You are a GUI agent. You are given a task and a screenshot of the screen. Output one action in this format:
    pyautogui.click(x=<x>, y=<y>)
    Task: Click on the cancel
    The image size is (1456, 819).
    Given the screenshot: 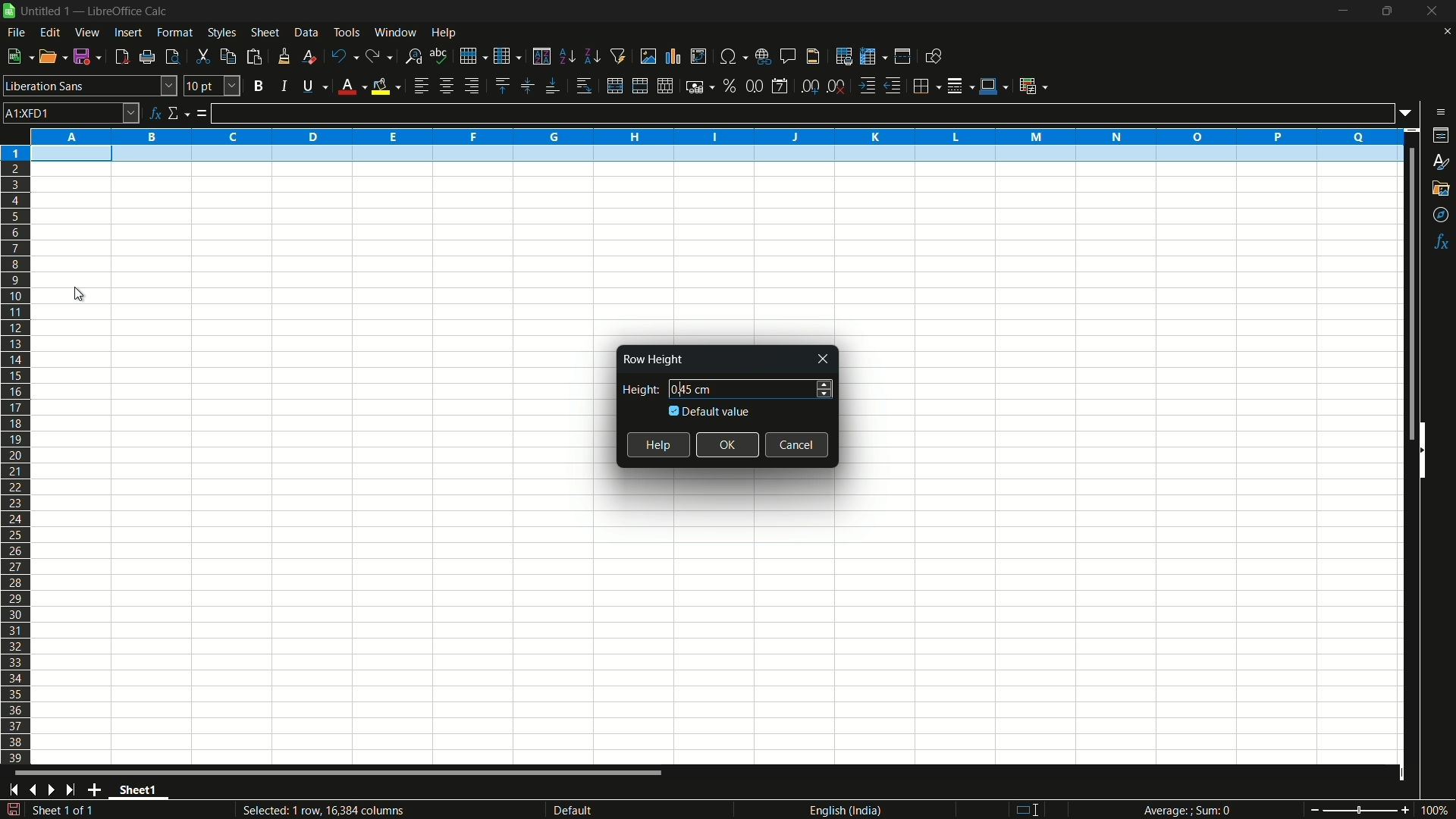 What is the action you would take?
    pyautogui.click(x=798, y=444)
    